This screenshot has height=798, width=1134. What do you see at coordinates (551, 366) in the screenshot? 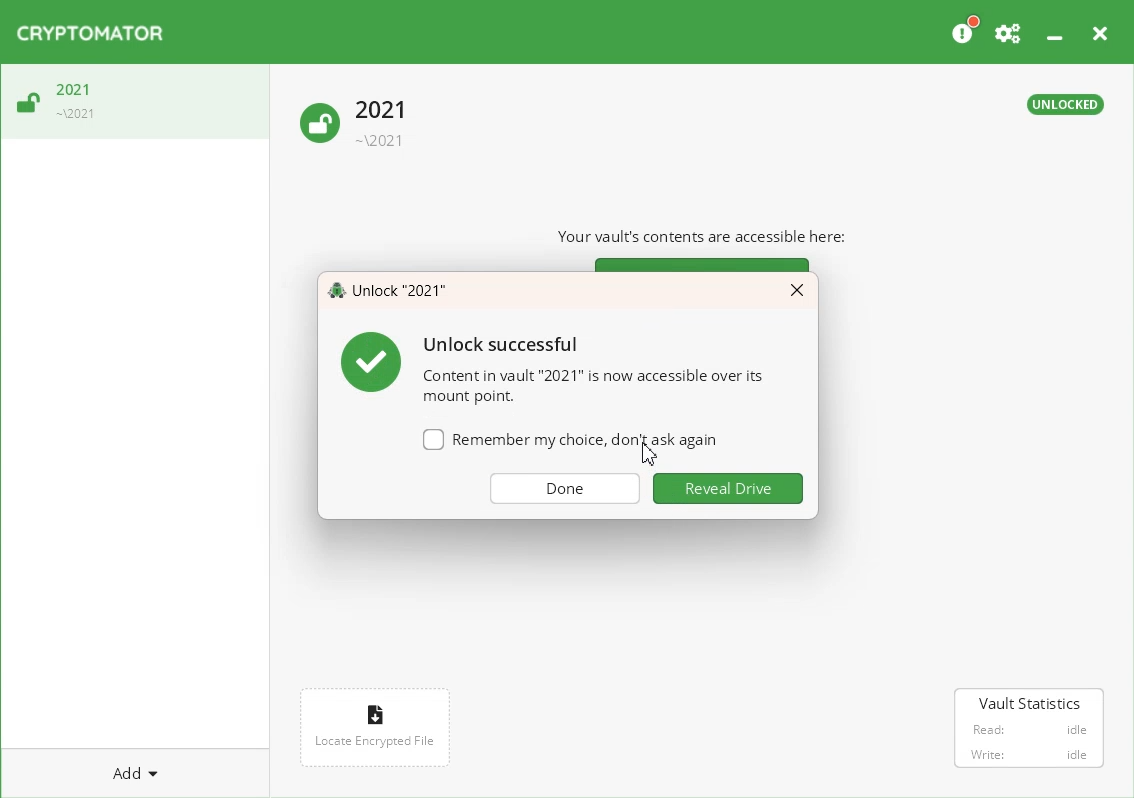
I see `Text` at bounding box center [551, 366].